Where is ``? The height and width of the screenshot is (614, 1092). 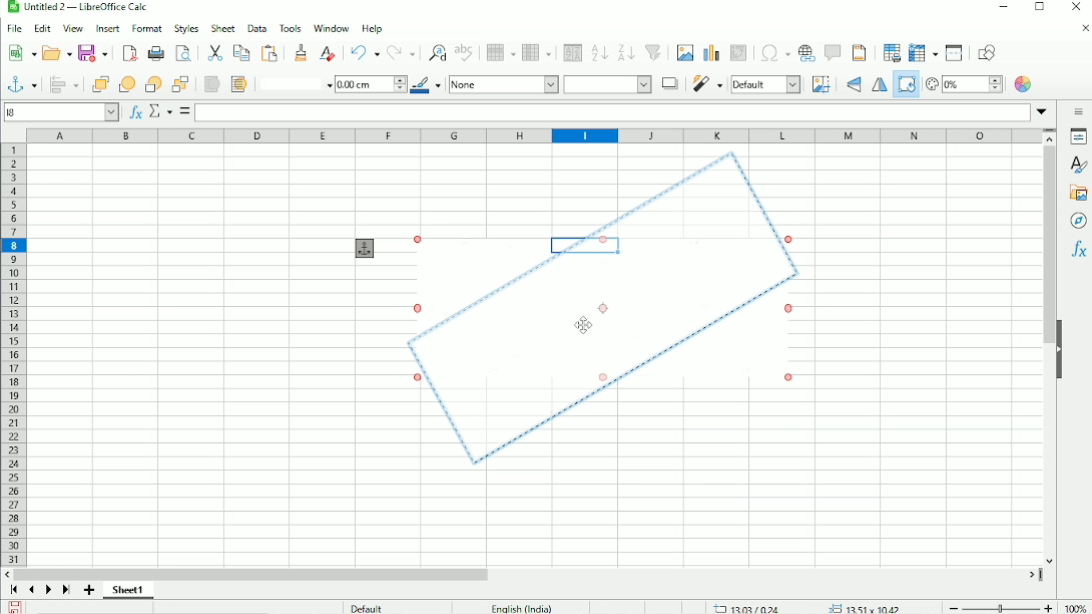
 is located at coordinates (181, 84).